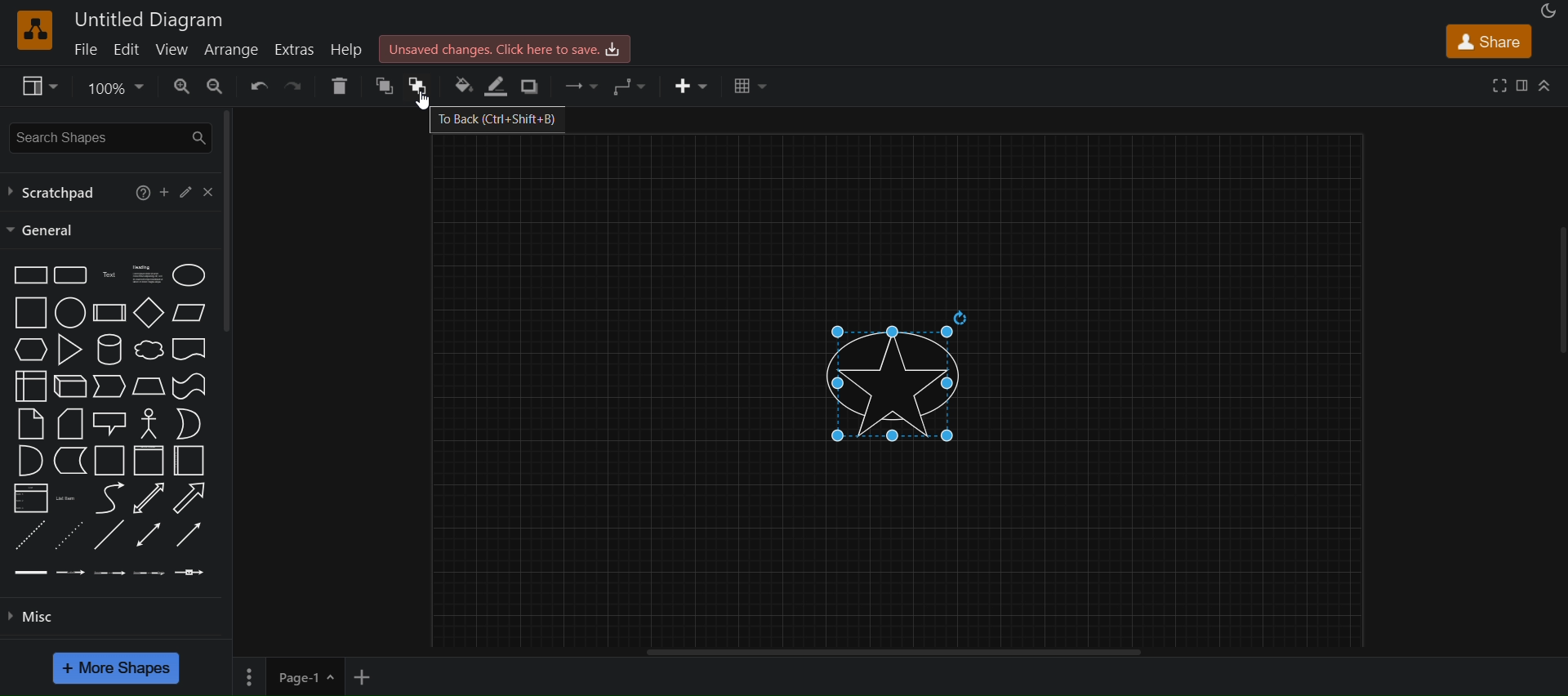  What do you see at coordinates (216, 85) in the screenshot?
I see `zoom out` at bounding box center [216, 85].